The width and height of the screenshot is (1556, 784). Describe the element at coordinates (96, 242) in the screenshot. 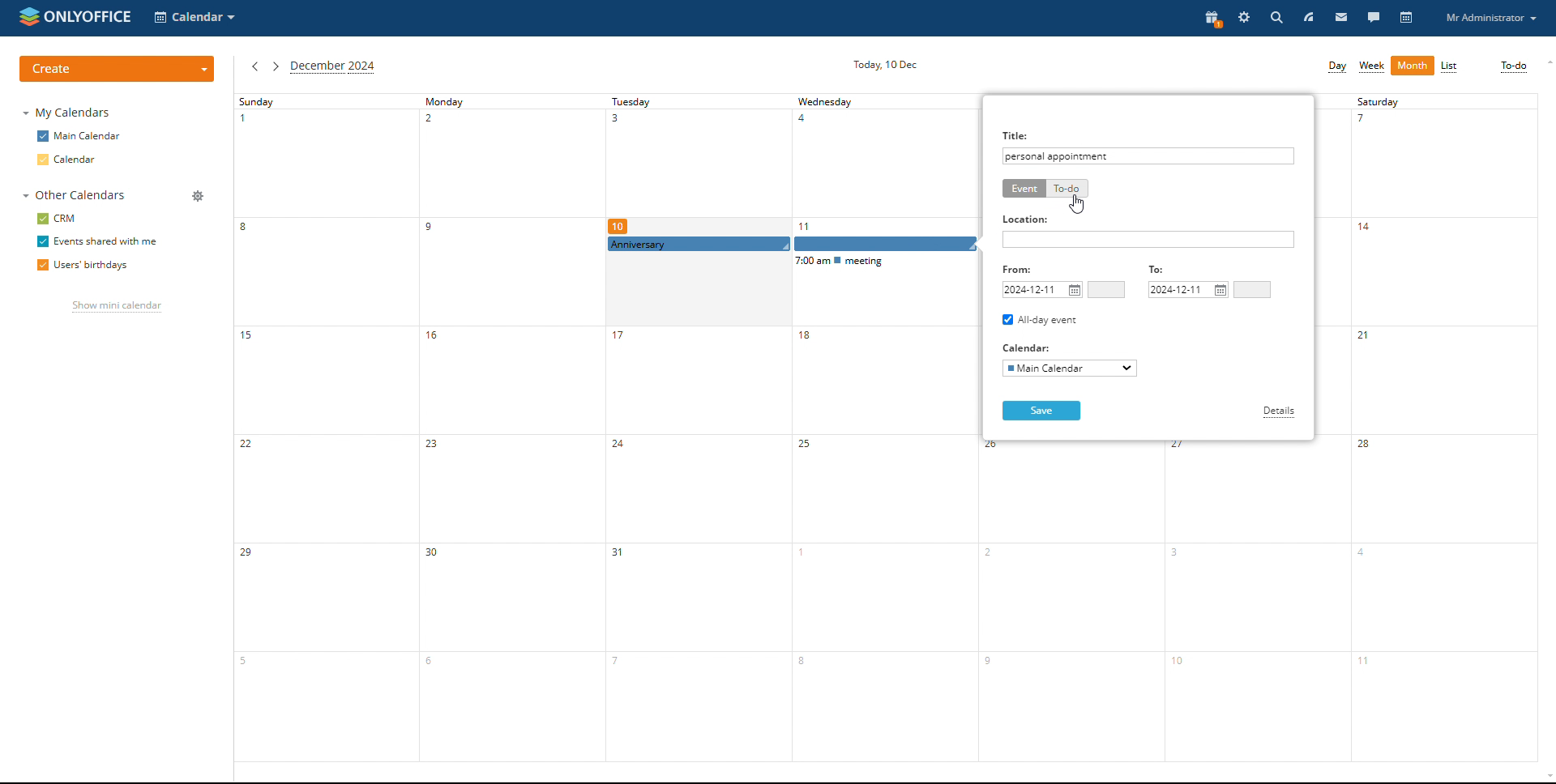

I see `event shared with me` at that location.